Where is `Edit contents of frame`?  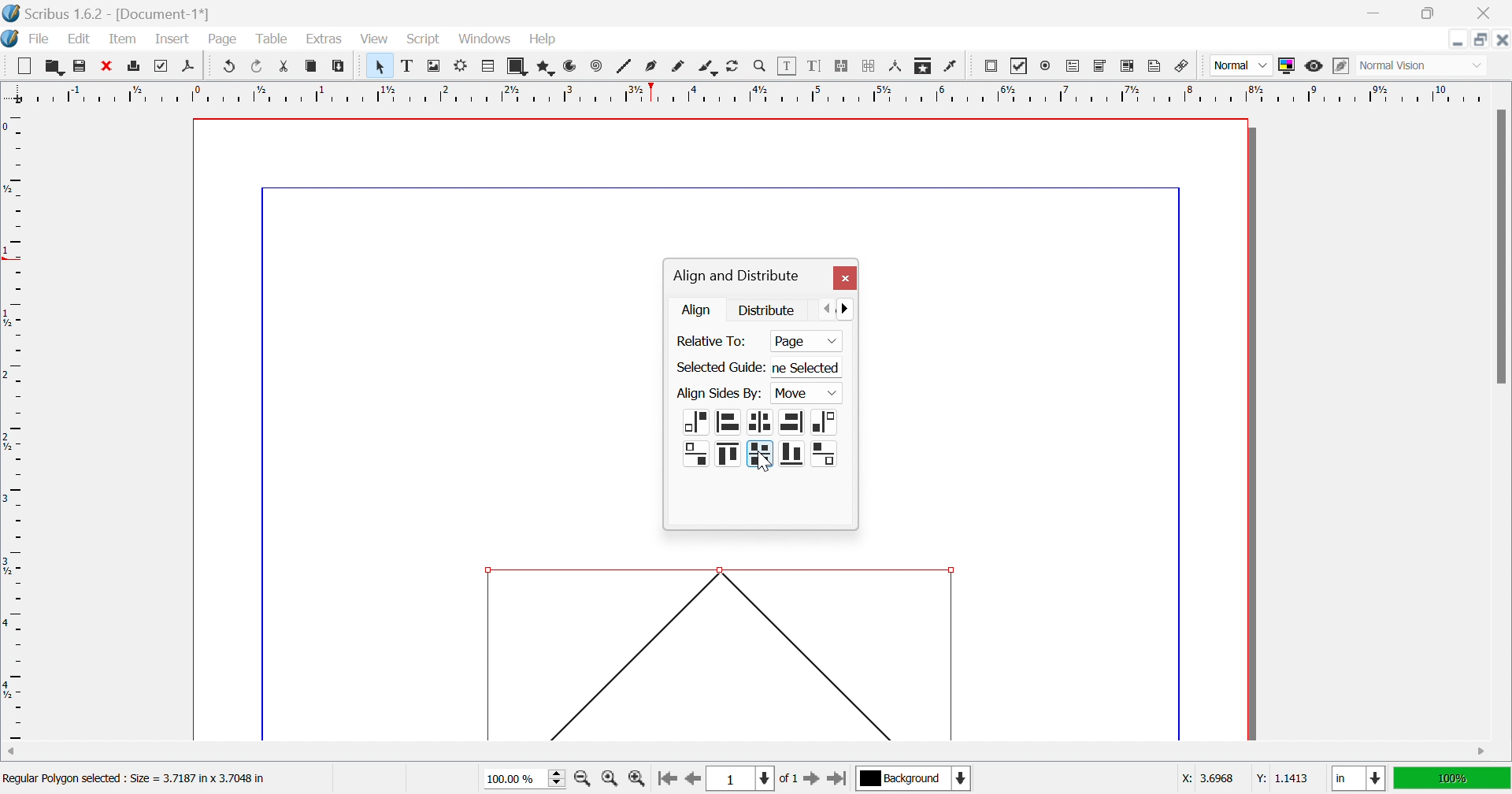 Edit contents of frame is located at coordinates (787, 64).